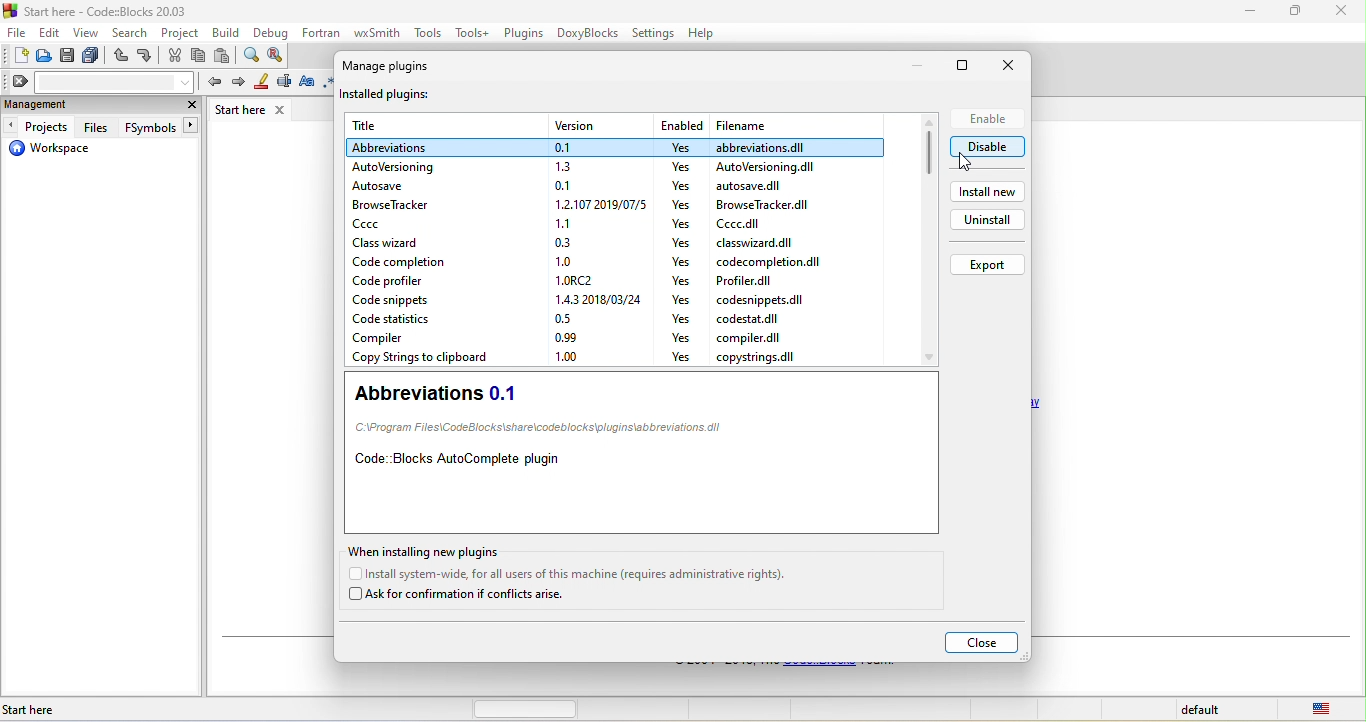  Describe the element at coordinates (425, 340) in the screenshot. I see `compiler` at that location.